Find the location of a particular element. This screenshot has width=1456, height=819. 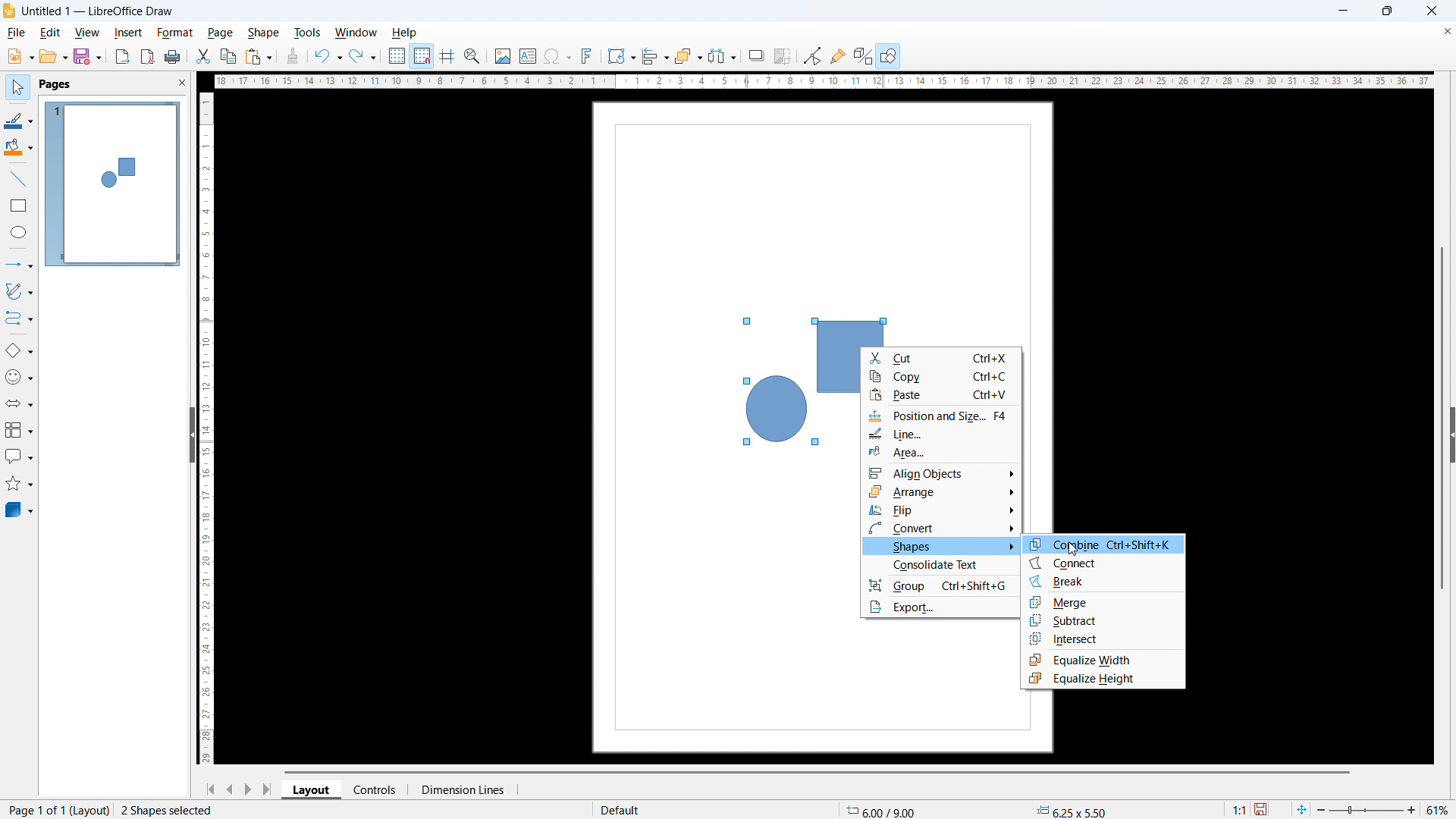

elipse is located at coordinates (20, 231).